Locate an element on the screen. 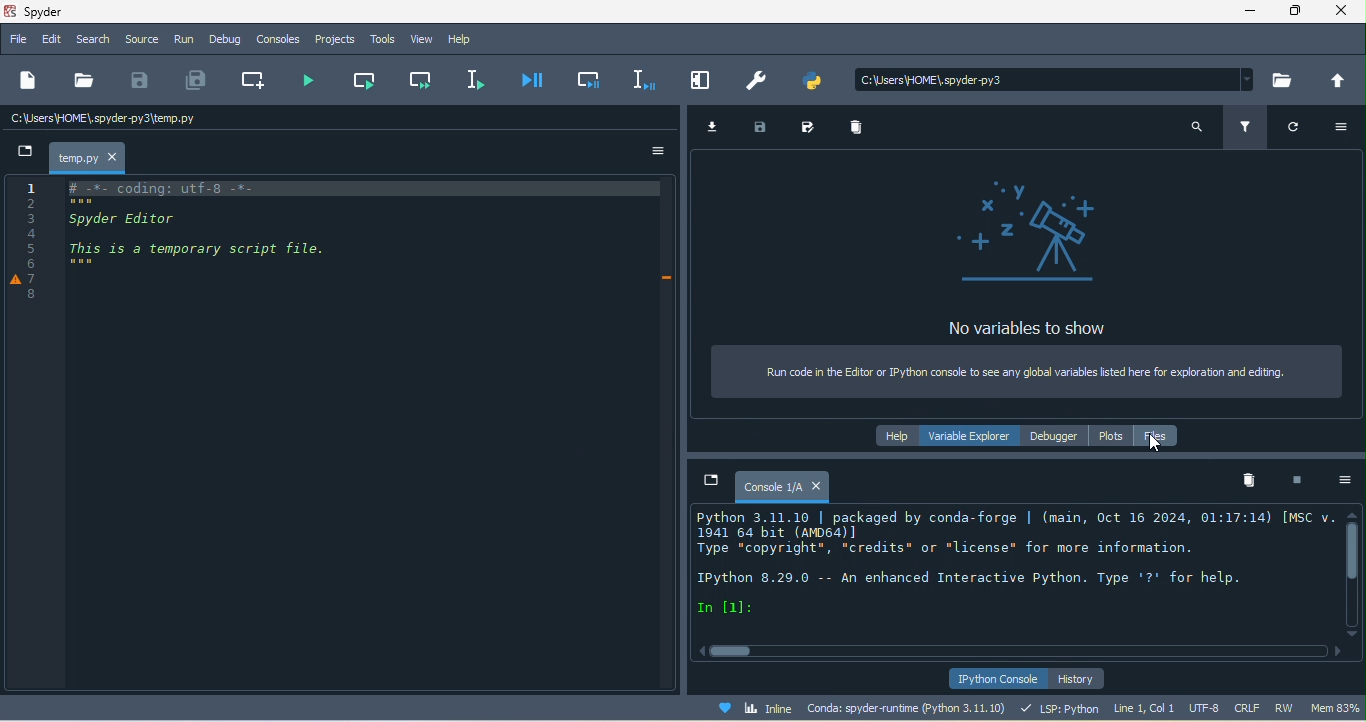 This screenshot has height=722, width=1366. history is located at coordinates (1079, 679).